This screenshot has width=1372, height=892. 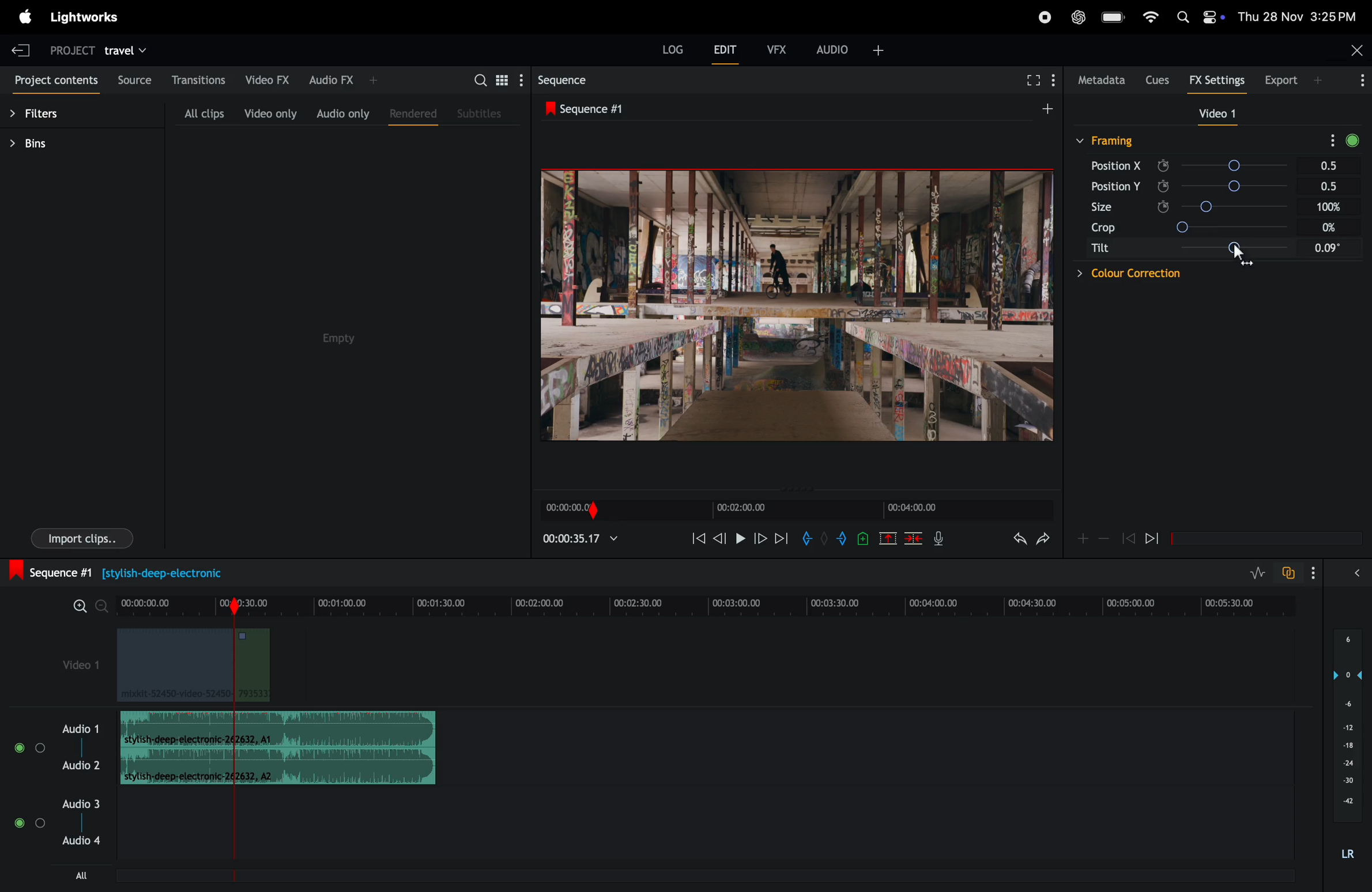 I want to click on add, so click(x=1053, y=113).